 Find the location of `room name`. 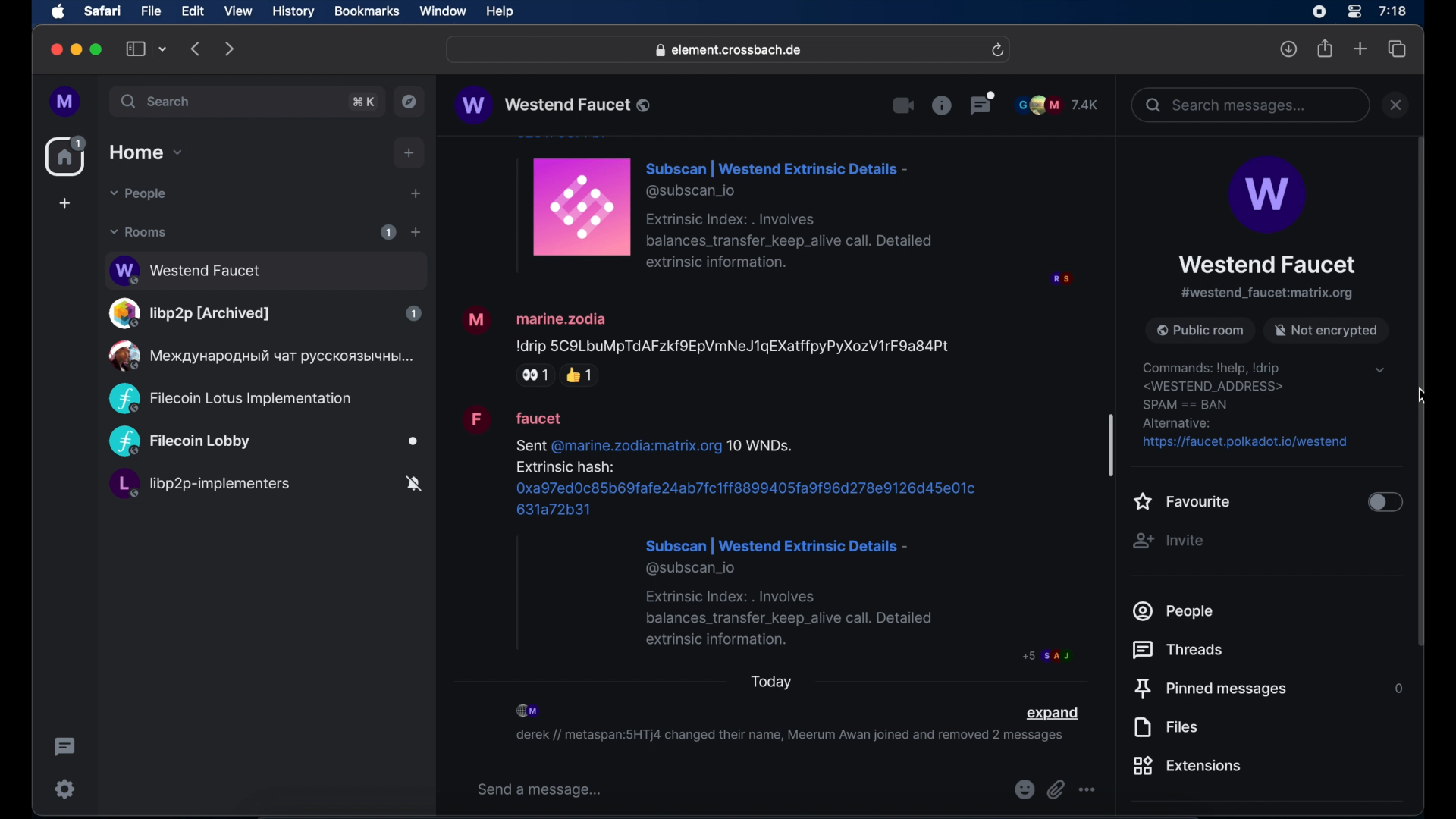

room name is located at coordinates (552, 105).